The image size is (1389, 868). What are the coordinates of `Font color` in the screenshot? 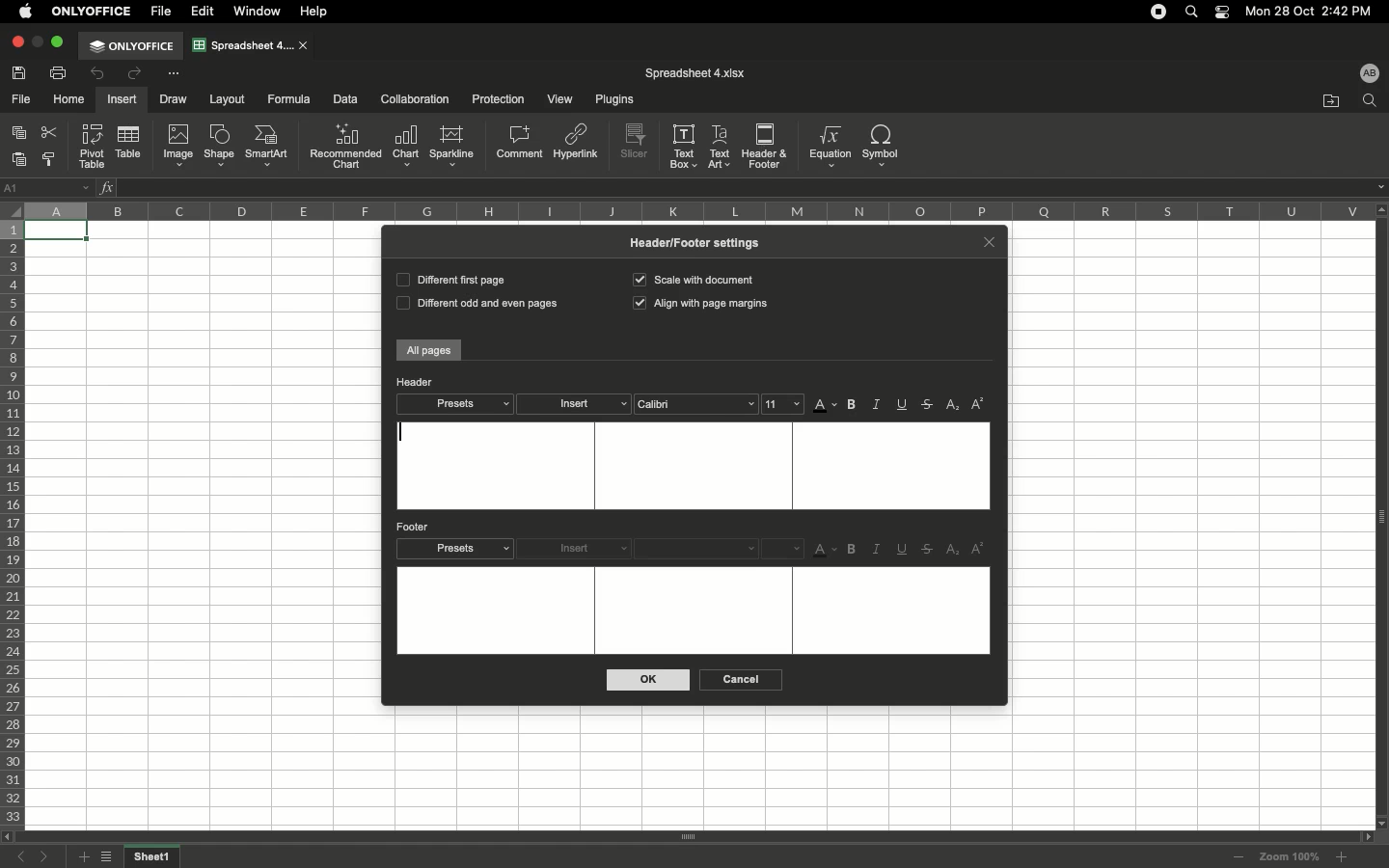 It's located at (826, 552).